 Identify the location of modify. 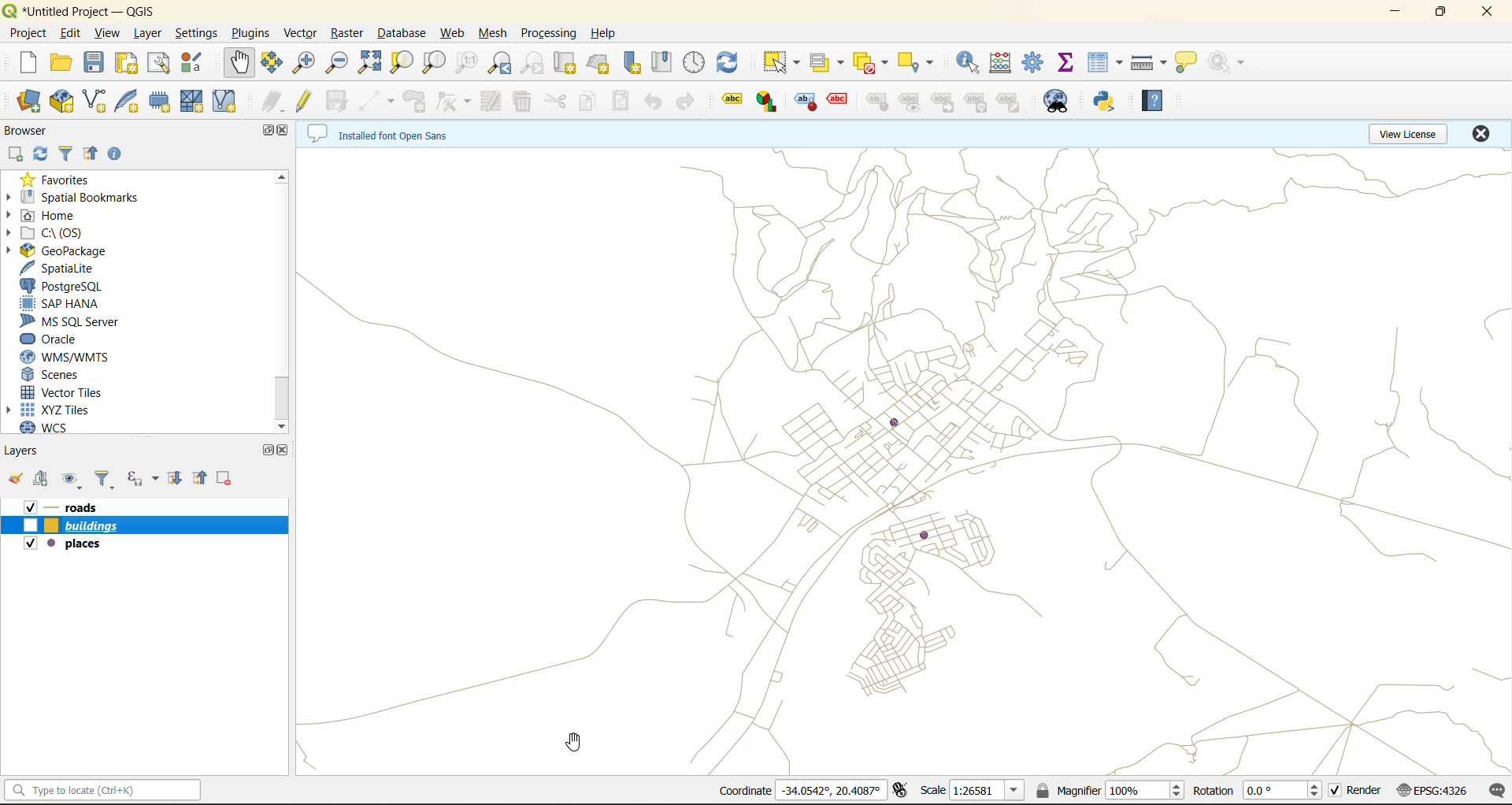
(487, 101).